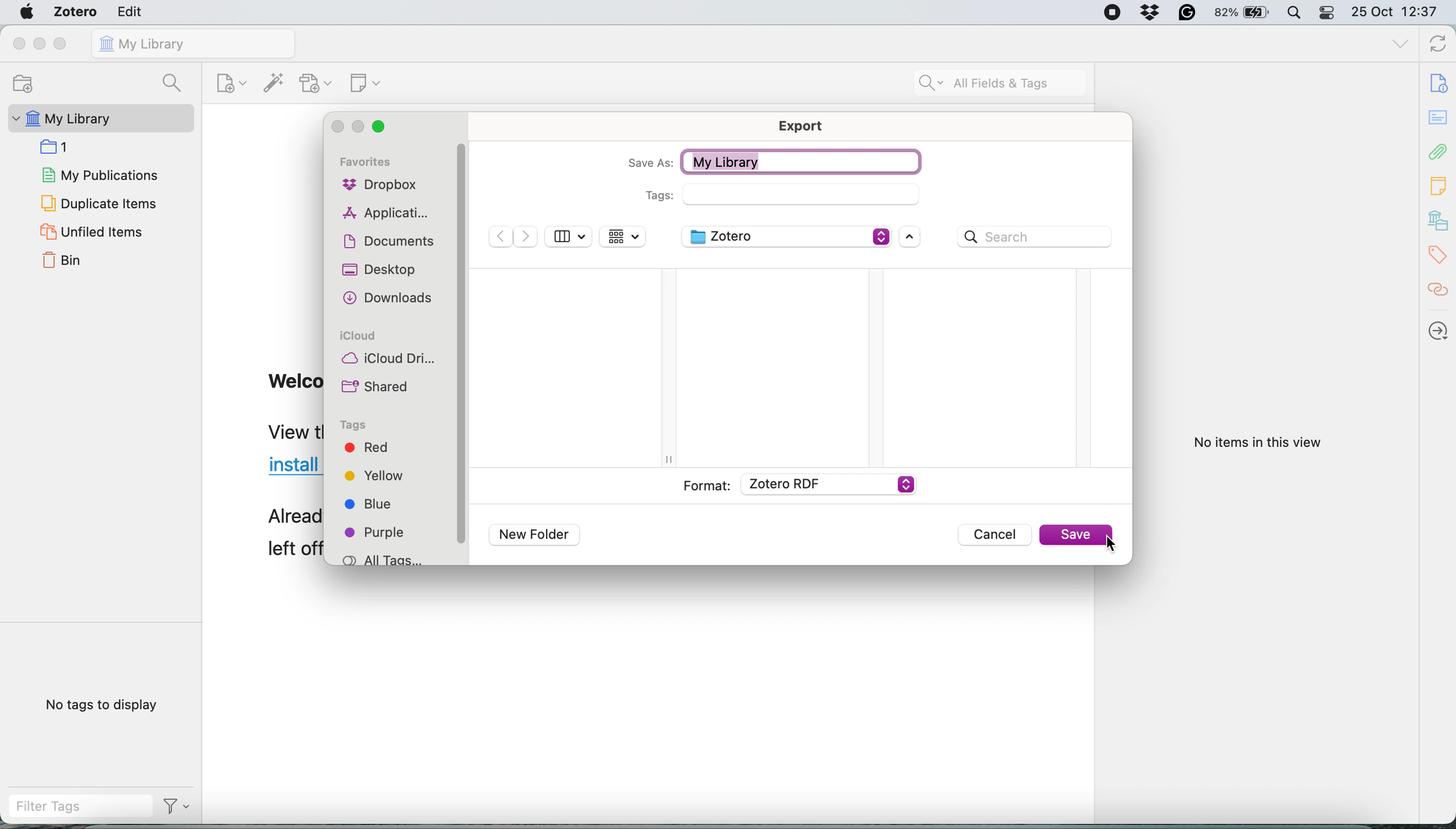 The height and width of the screenshot is (829, 1456). What do you see at coordinates (19, 85) in the screenshot?
I see `new collection` at bounding box center [19, 85].